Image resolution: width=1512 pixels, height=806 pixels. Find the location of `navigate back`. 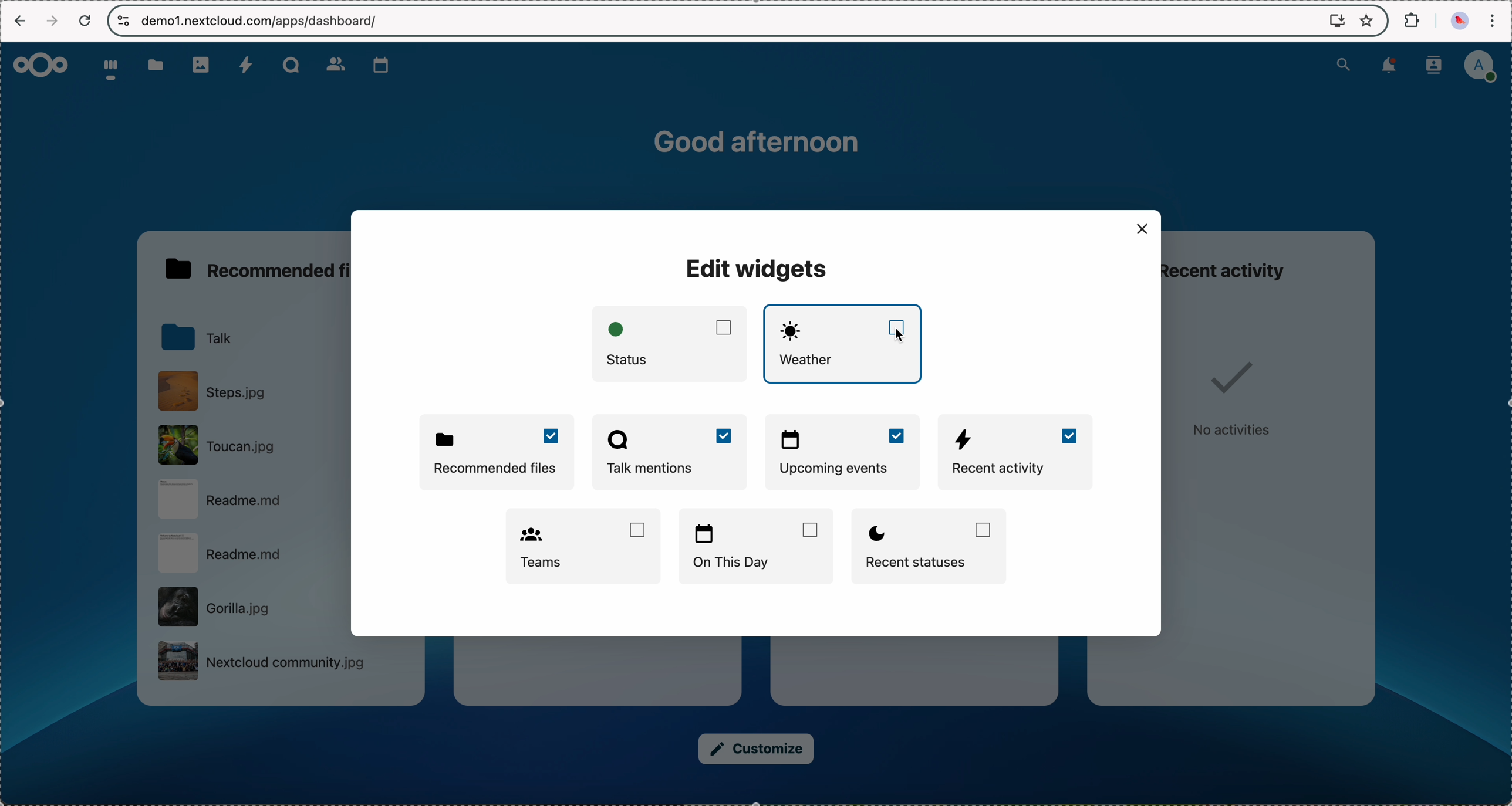

navigate back is located at coordinates (19, 22).